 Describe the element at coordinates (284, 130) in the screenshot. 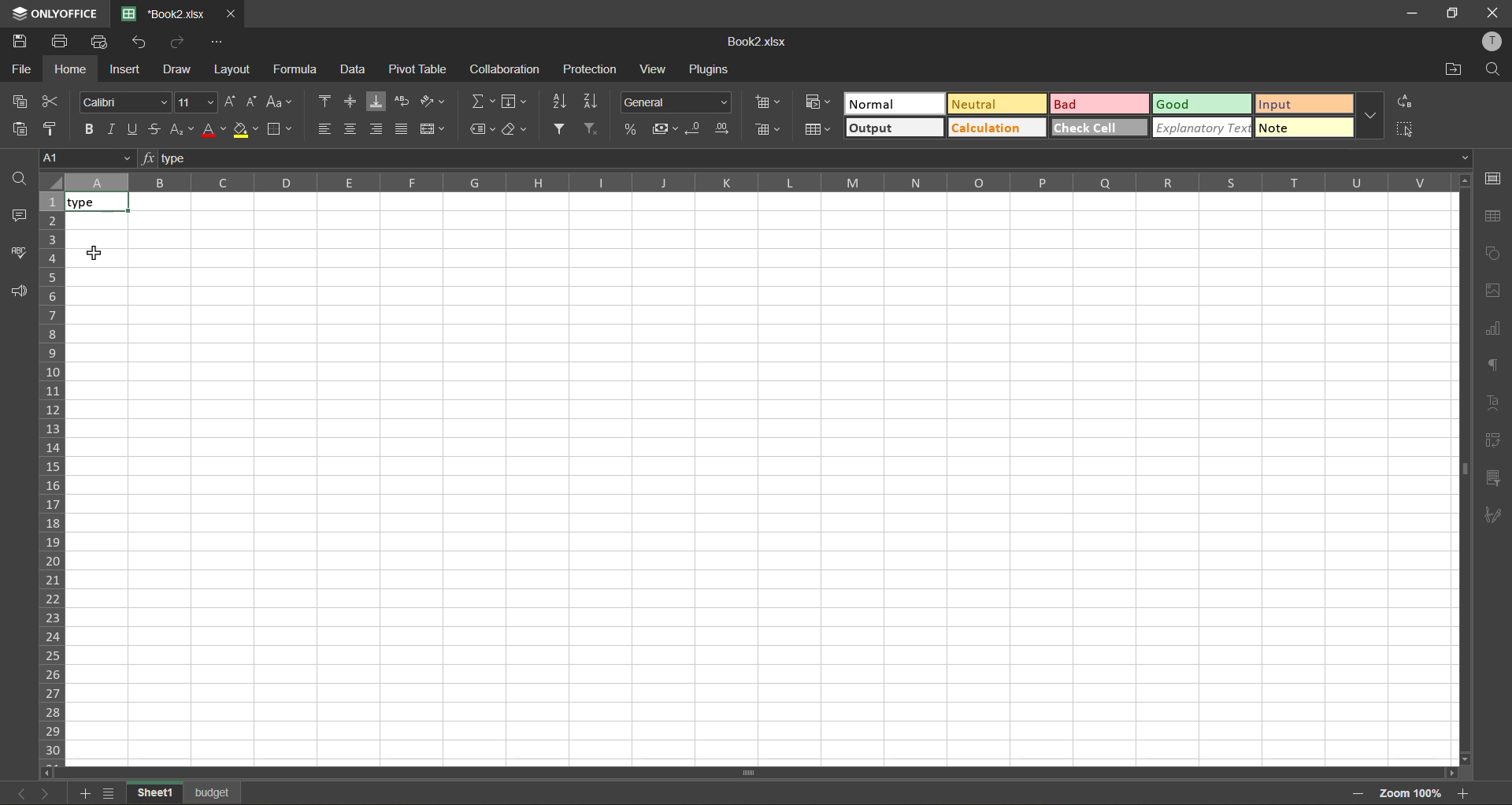

I see `borders` at that location.